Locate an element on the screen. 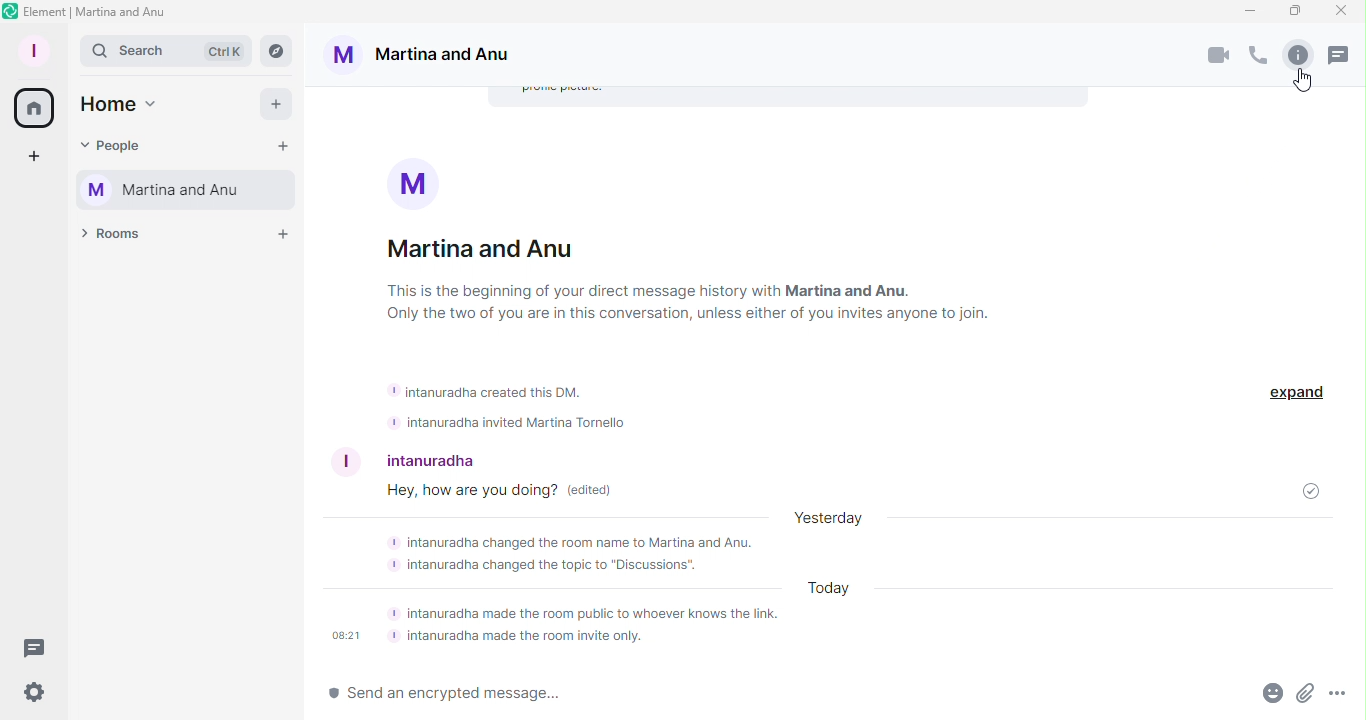  Bot messages is located at coordinates (821, 584).